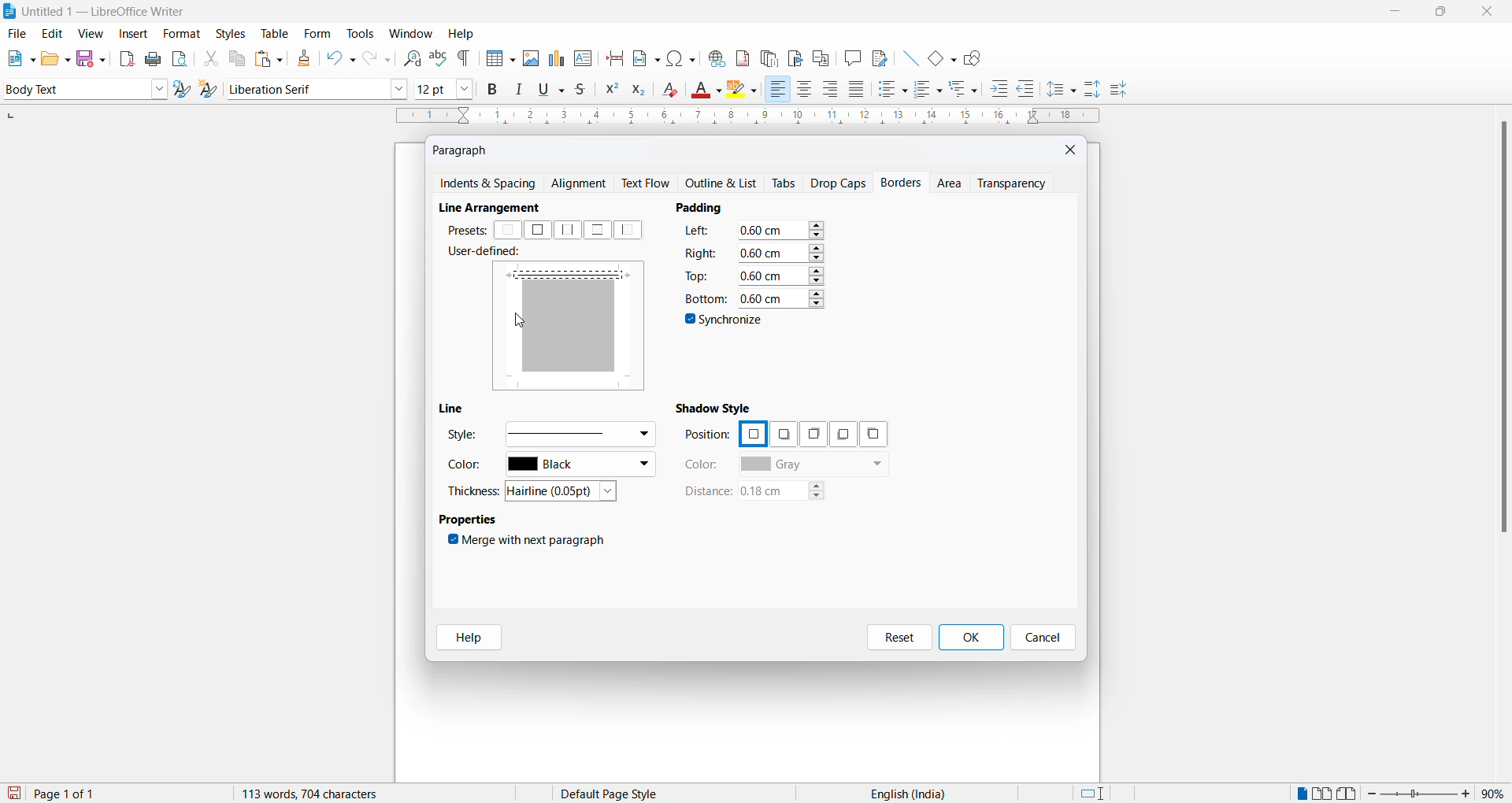 This screenshot has width=1512, height=803. What do you see at coordinates (777, 90) in the screenshot?
I see `text align right` at bounding box center [777, 90].